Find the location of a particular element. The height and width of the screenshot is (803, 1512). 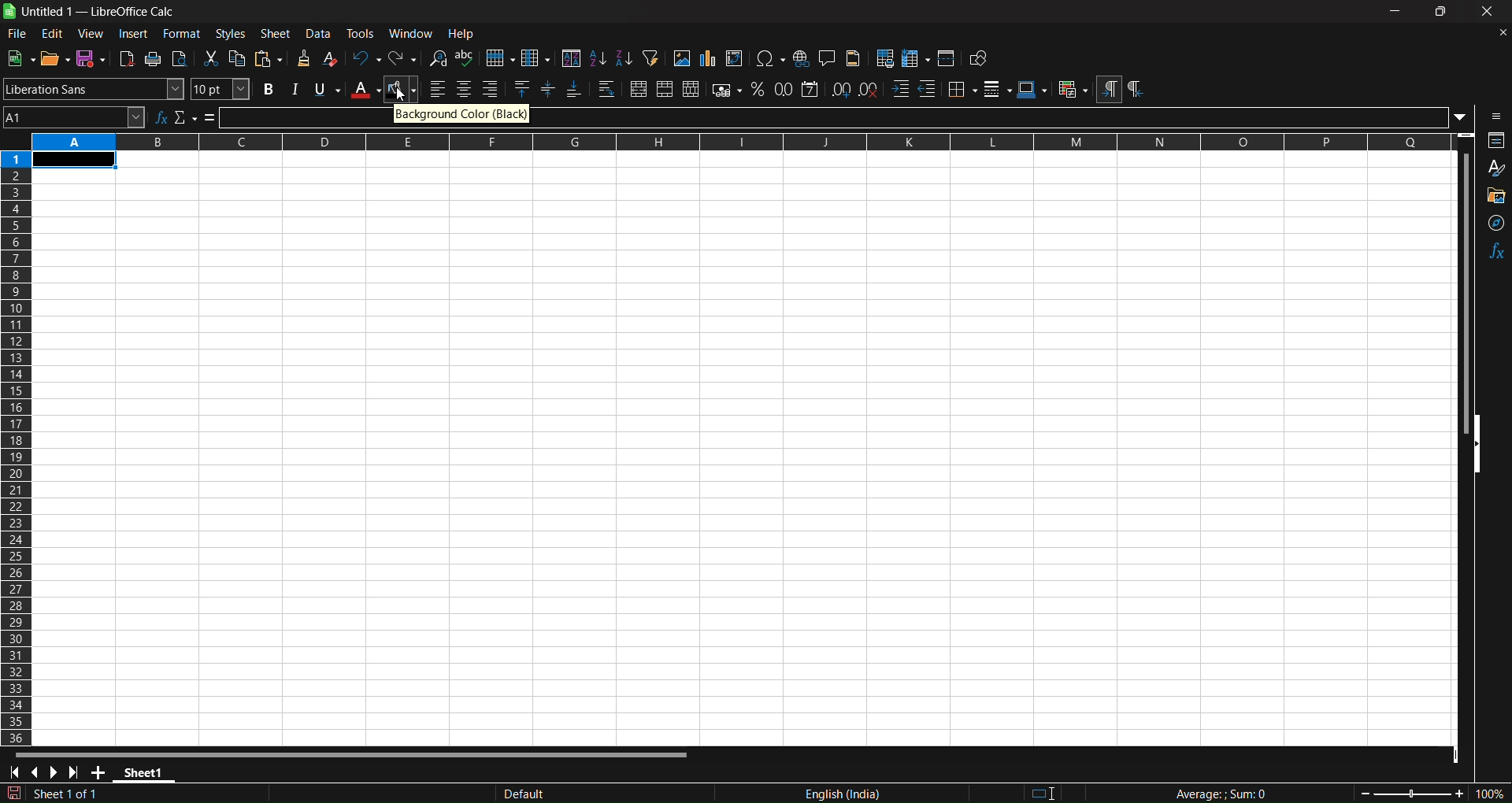

insert chart is located at coordinates (708, 58).